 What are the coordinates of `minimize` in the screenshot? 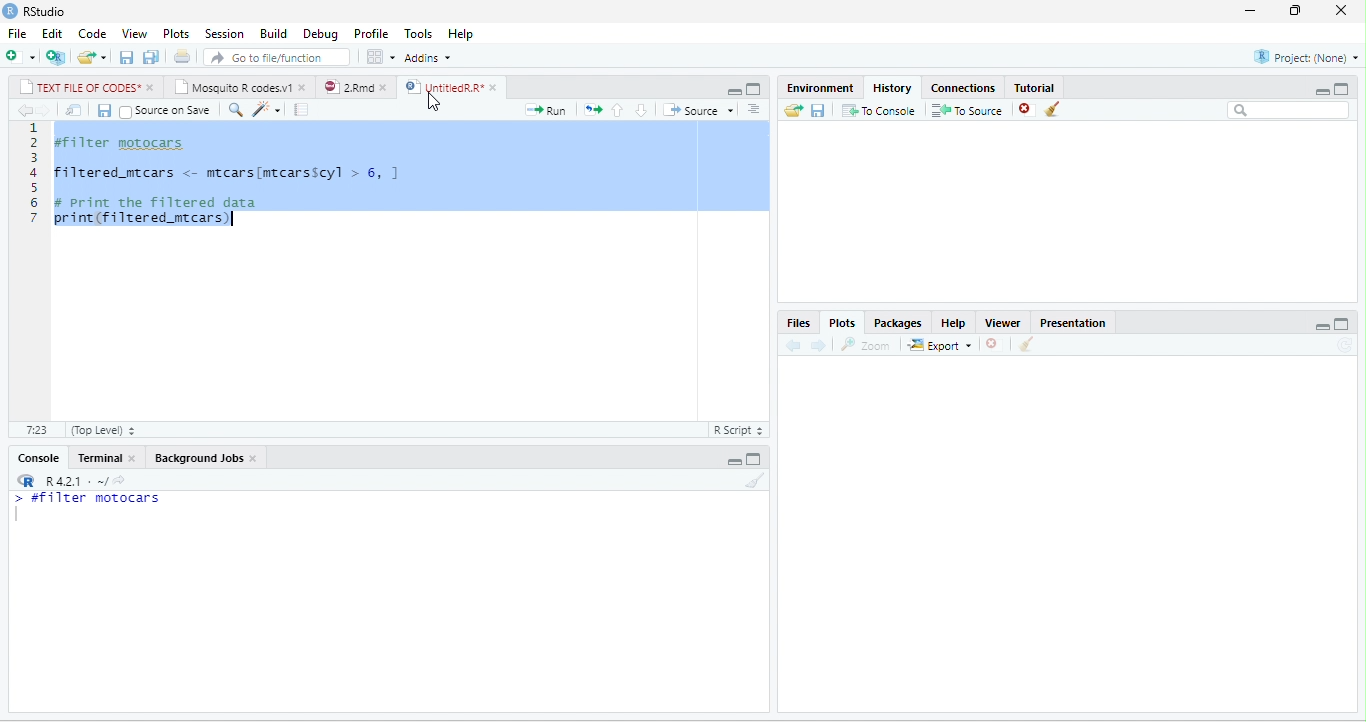 It's located at (1250, 11).